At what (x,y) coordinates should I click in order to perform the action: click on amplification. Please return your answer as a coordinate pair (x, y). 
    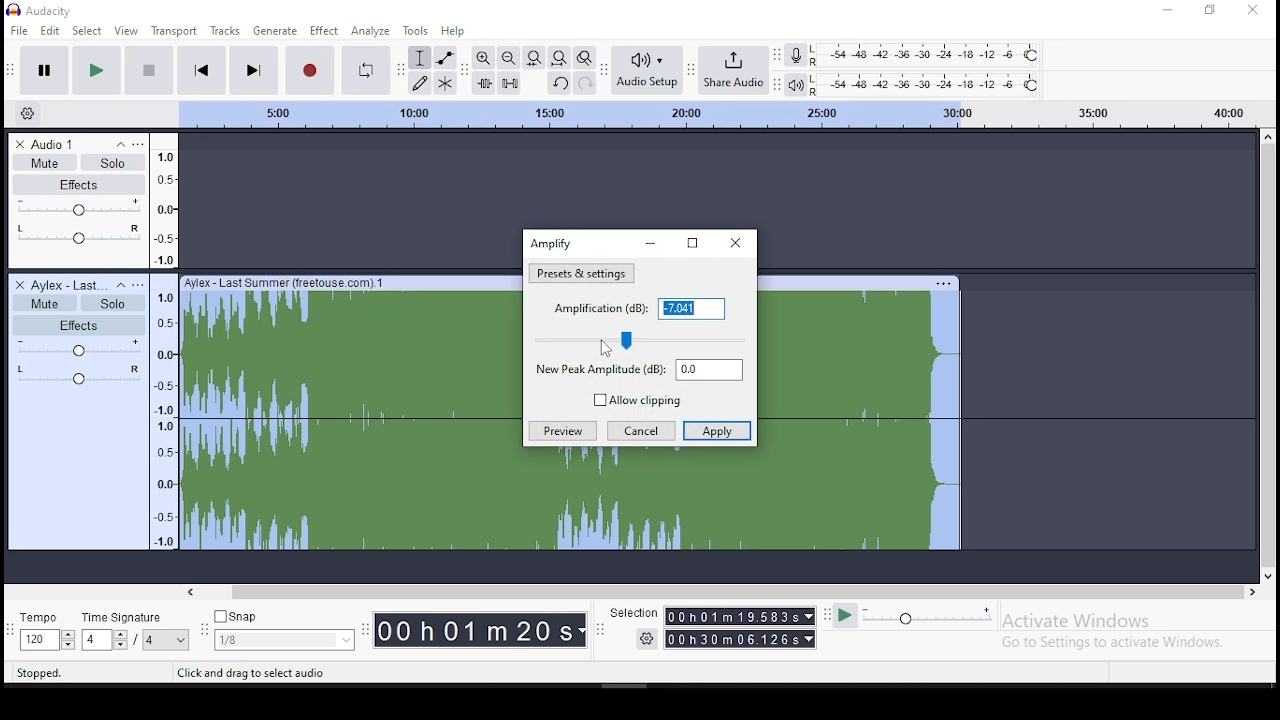
    Looking at the image, I should click on (583, 273).